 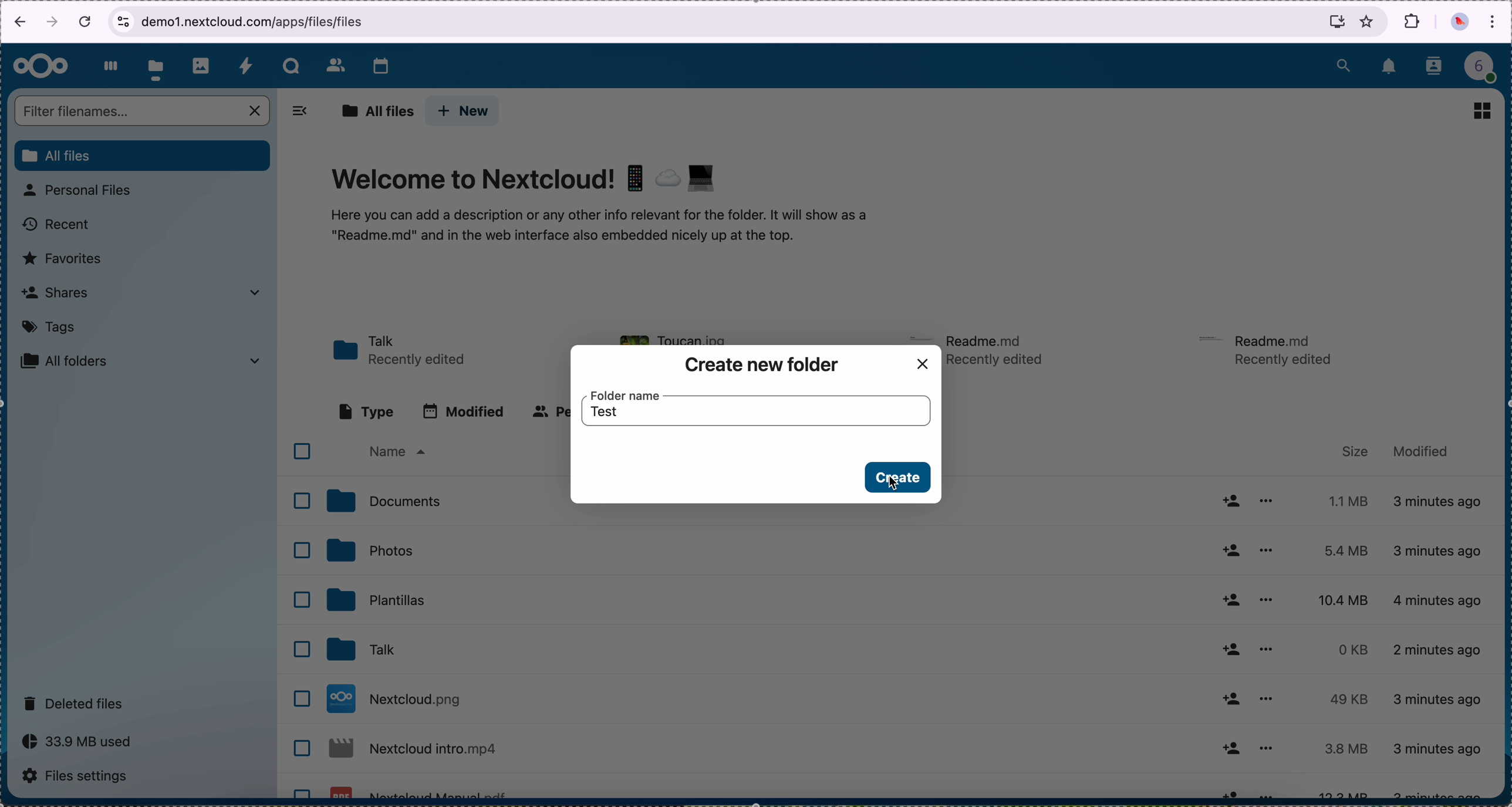 I want to click on calendar, so click(x=380, y=67).